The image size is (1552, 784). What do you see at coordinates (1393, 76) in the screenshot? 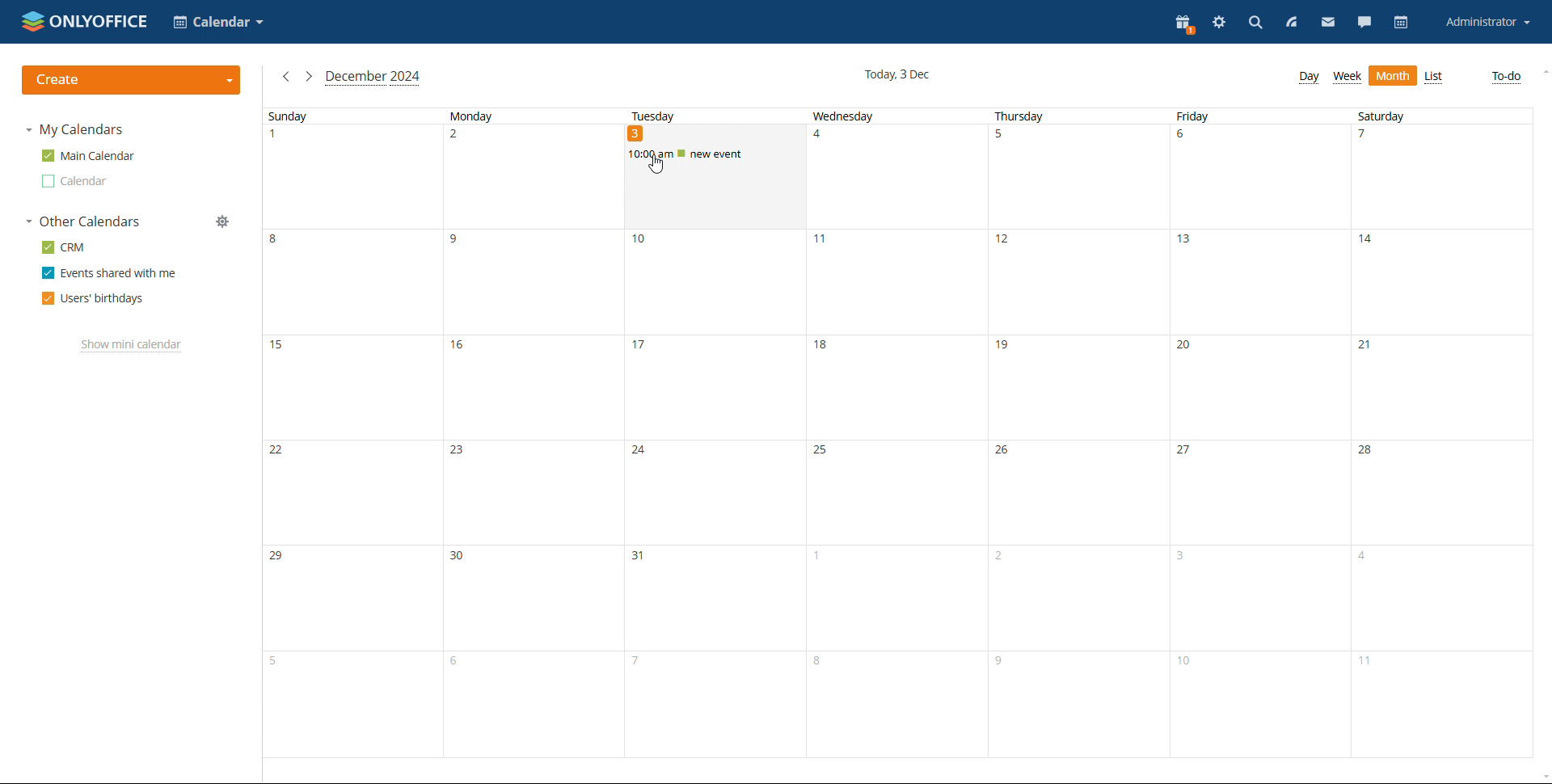
I see `month view` at bounding box center [1393, 76].